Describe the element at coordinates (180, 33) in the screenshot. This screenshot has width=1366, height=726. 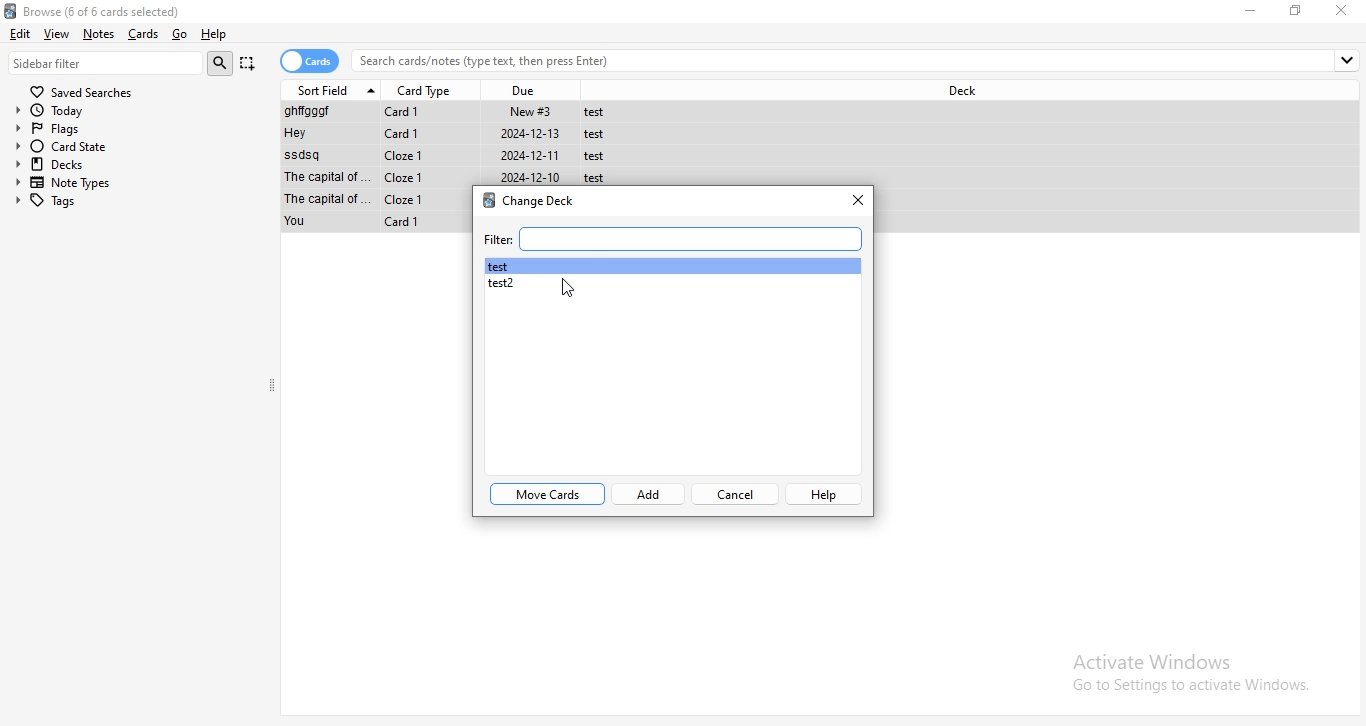
I see `go` at that location.